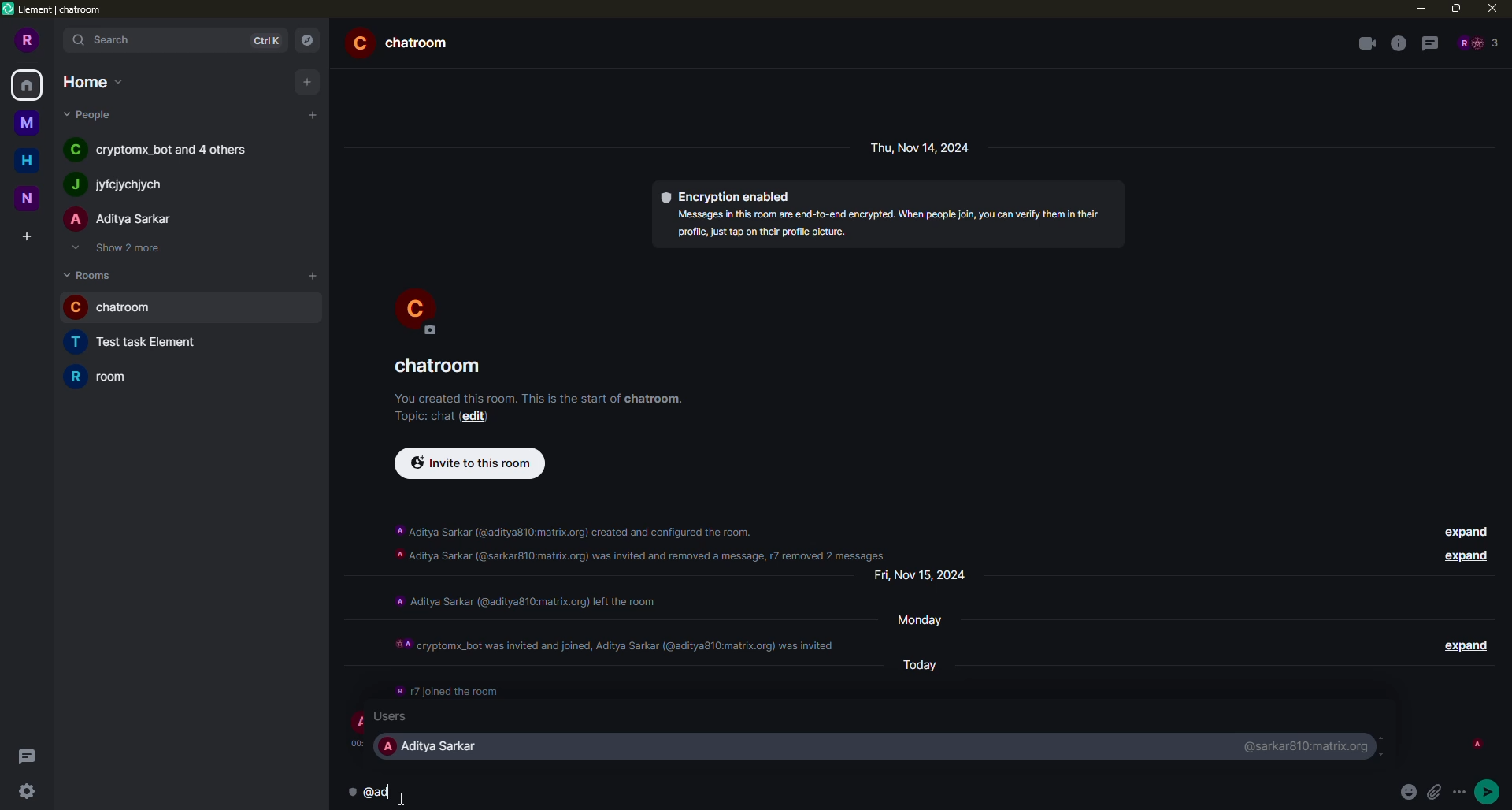  I want to click on add, so click(305, 81).